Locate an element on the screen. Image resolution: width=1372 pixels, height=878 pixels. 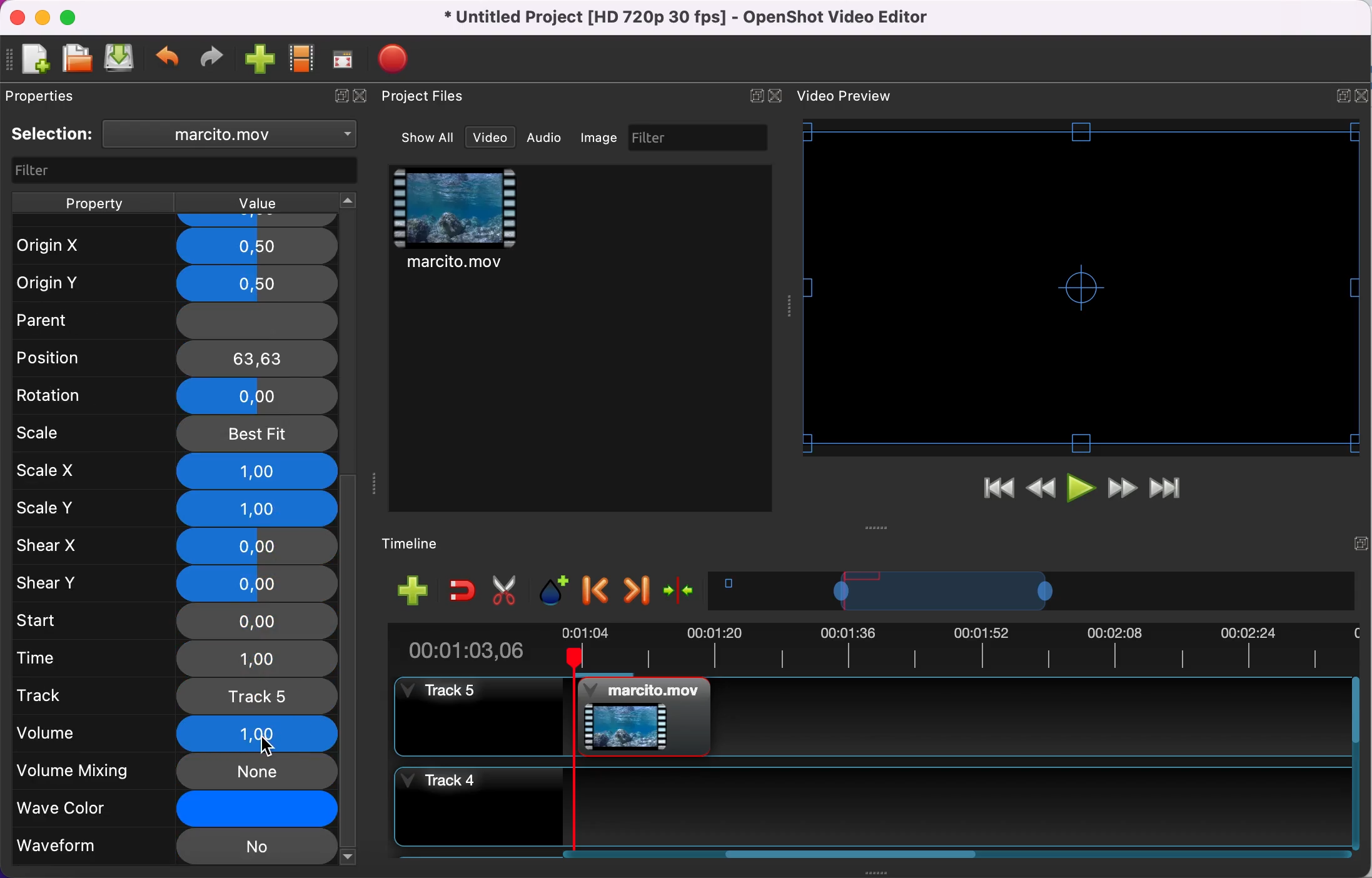
filter is located at coordinates (700, 137).